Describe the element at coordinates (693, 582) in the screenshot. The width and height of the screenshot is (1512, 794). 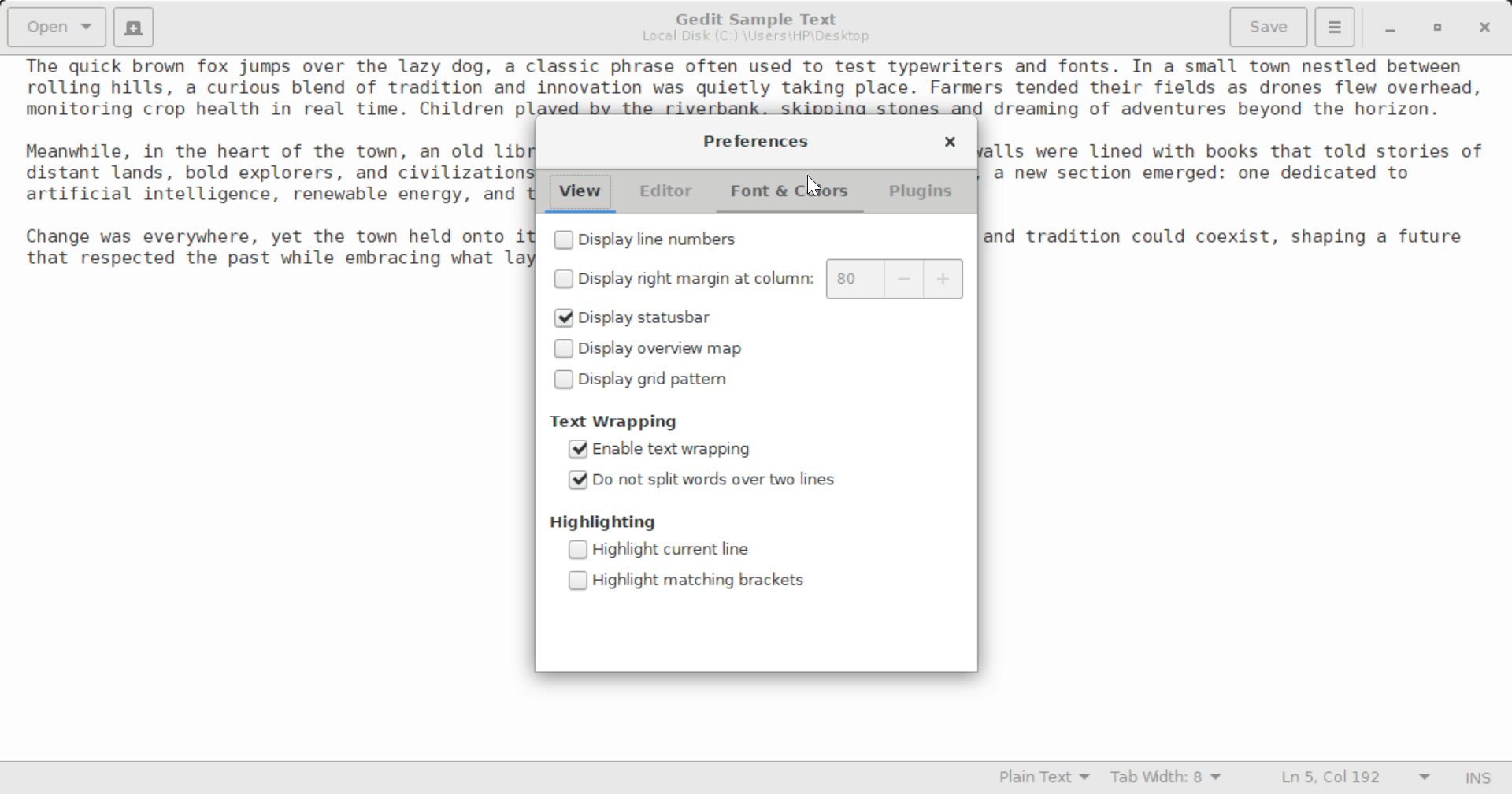
I see `Highlight matcghing brackets` at that location.